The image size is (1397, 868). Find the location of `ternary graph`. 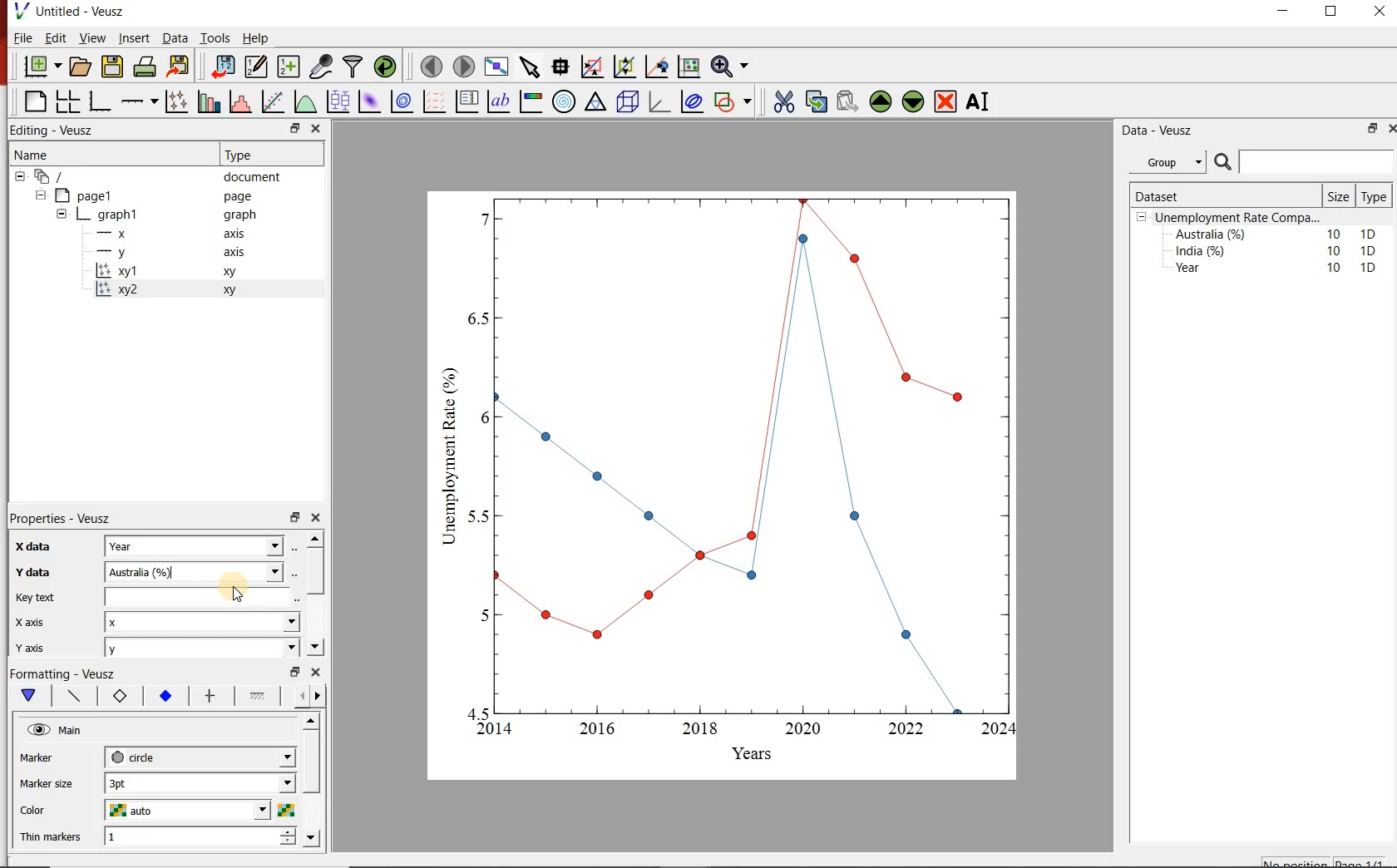

ternary graph is located at coordinates (595, 101).